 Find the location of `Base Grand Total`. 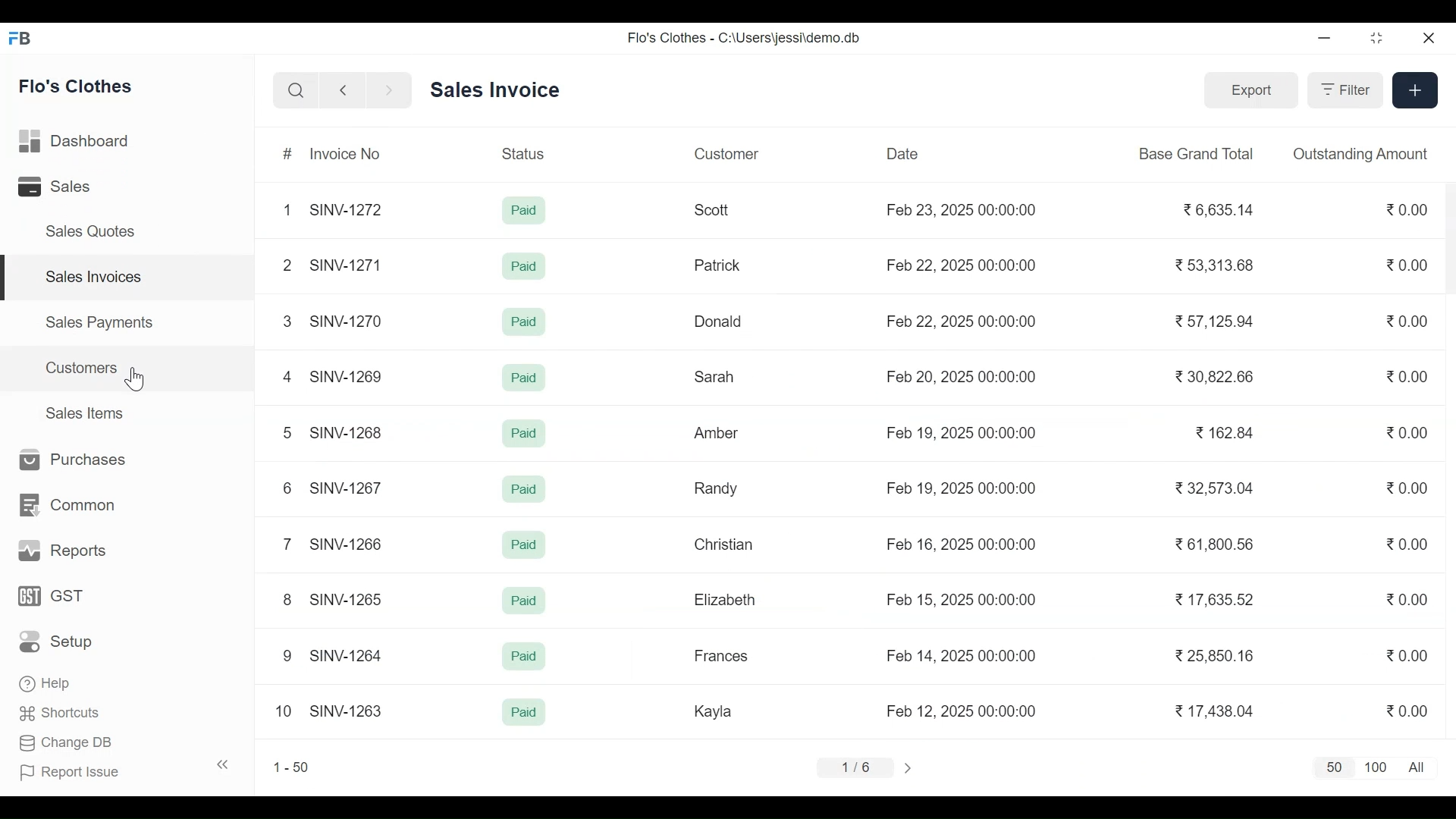

Base Grand Total is located at coordinates (1194, 152).